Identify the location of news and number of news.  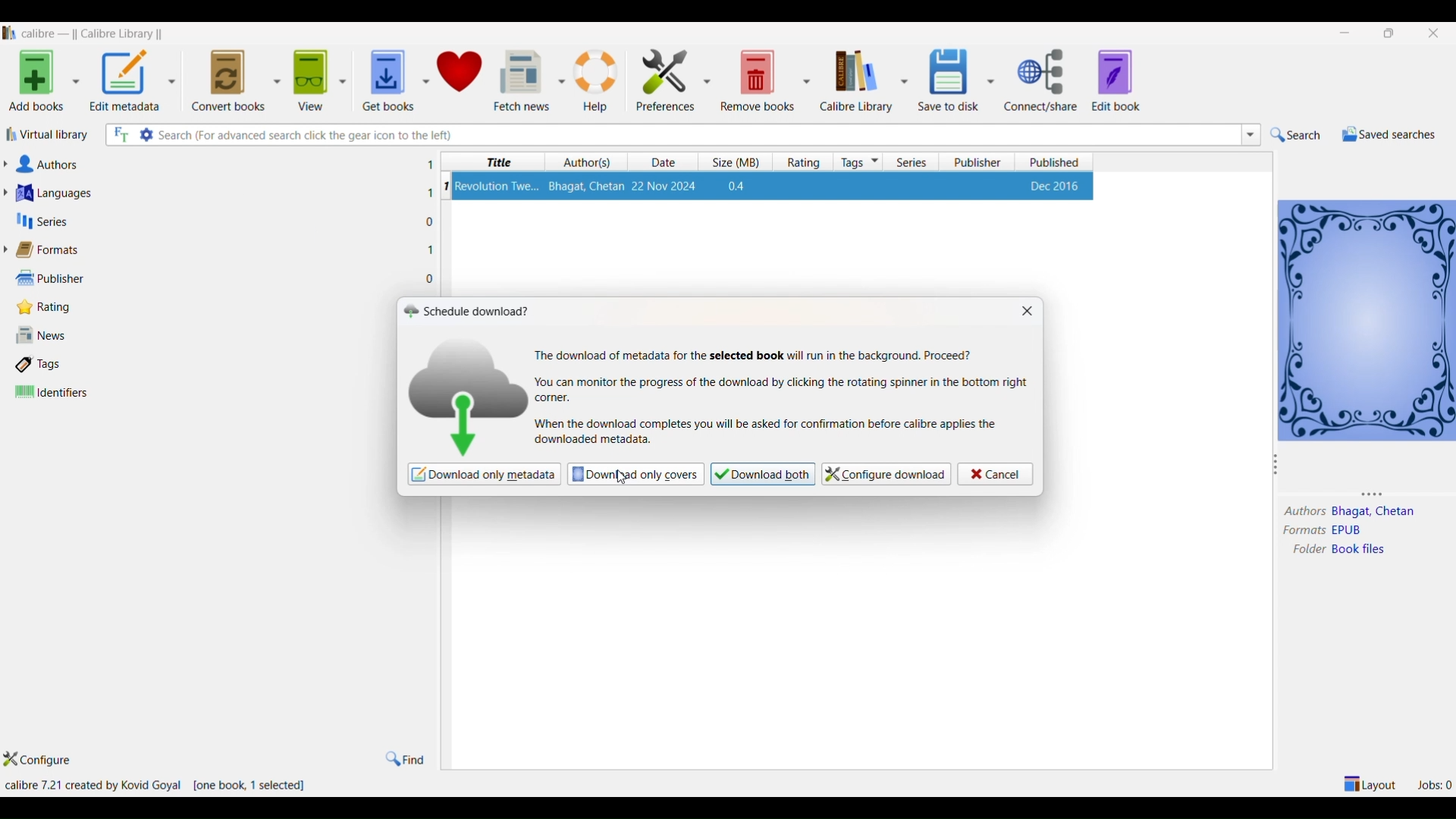
(46, 337).